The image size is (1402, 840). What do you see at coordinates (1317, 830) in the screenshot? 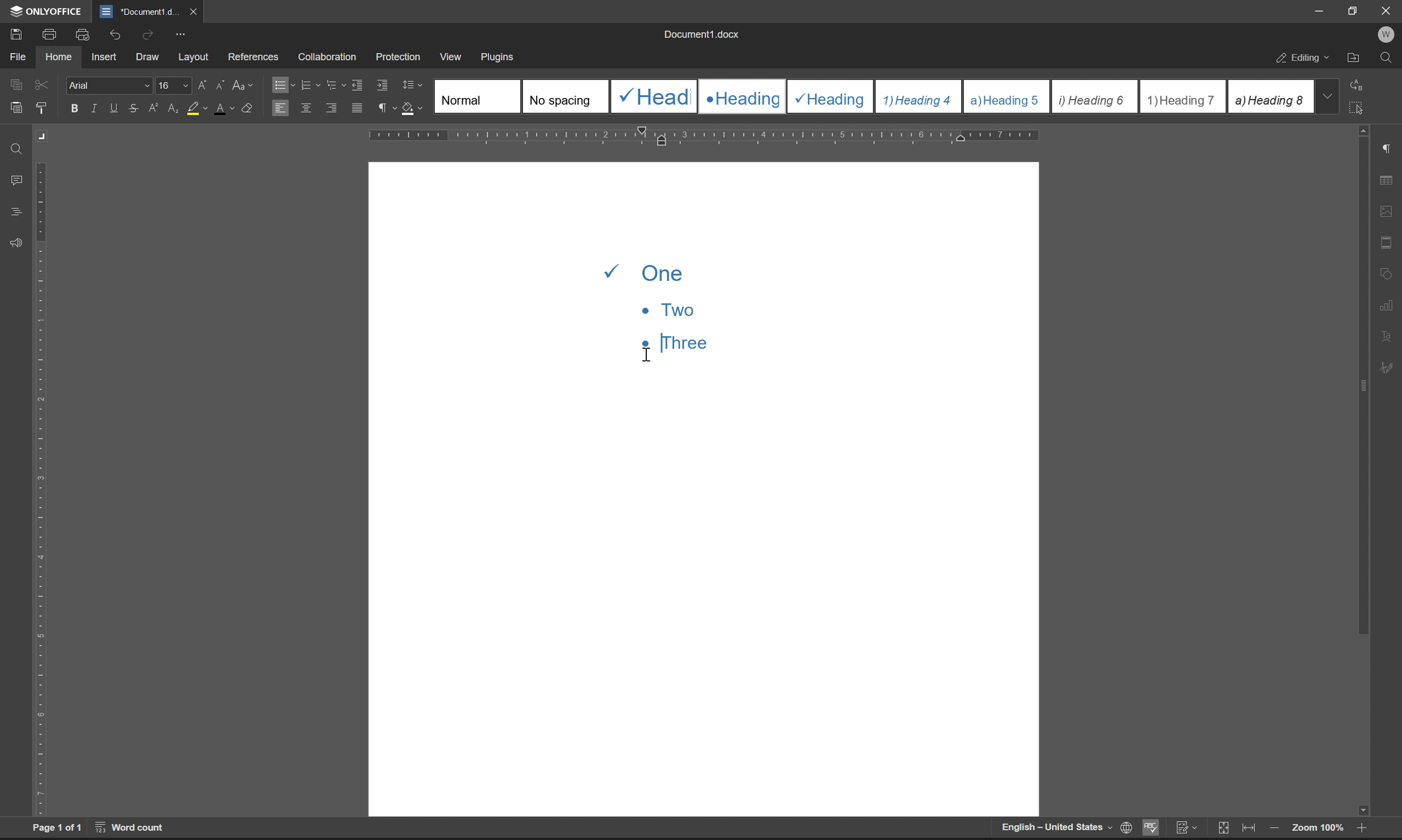
I see `zoom 100%` at bounding box center [1317, 830].